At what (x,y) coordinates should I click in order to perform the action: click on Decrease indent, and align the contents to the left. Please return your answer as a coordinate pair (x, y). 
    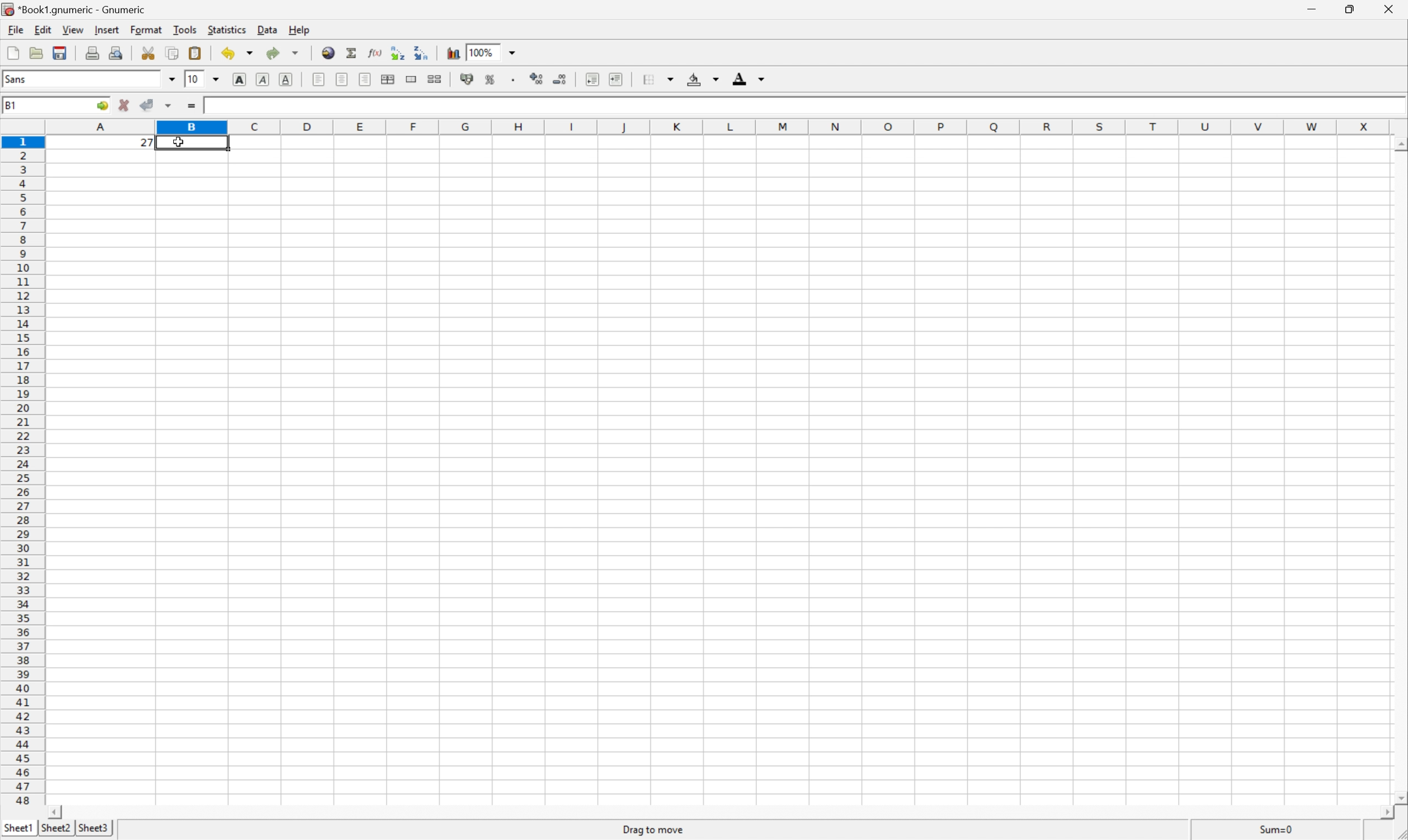
    Looking at the image, I should click on (592, 79).